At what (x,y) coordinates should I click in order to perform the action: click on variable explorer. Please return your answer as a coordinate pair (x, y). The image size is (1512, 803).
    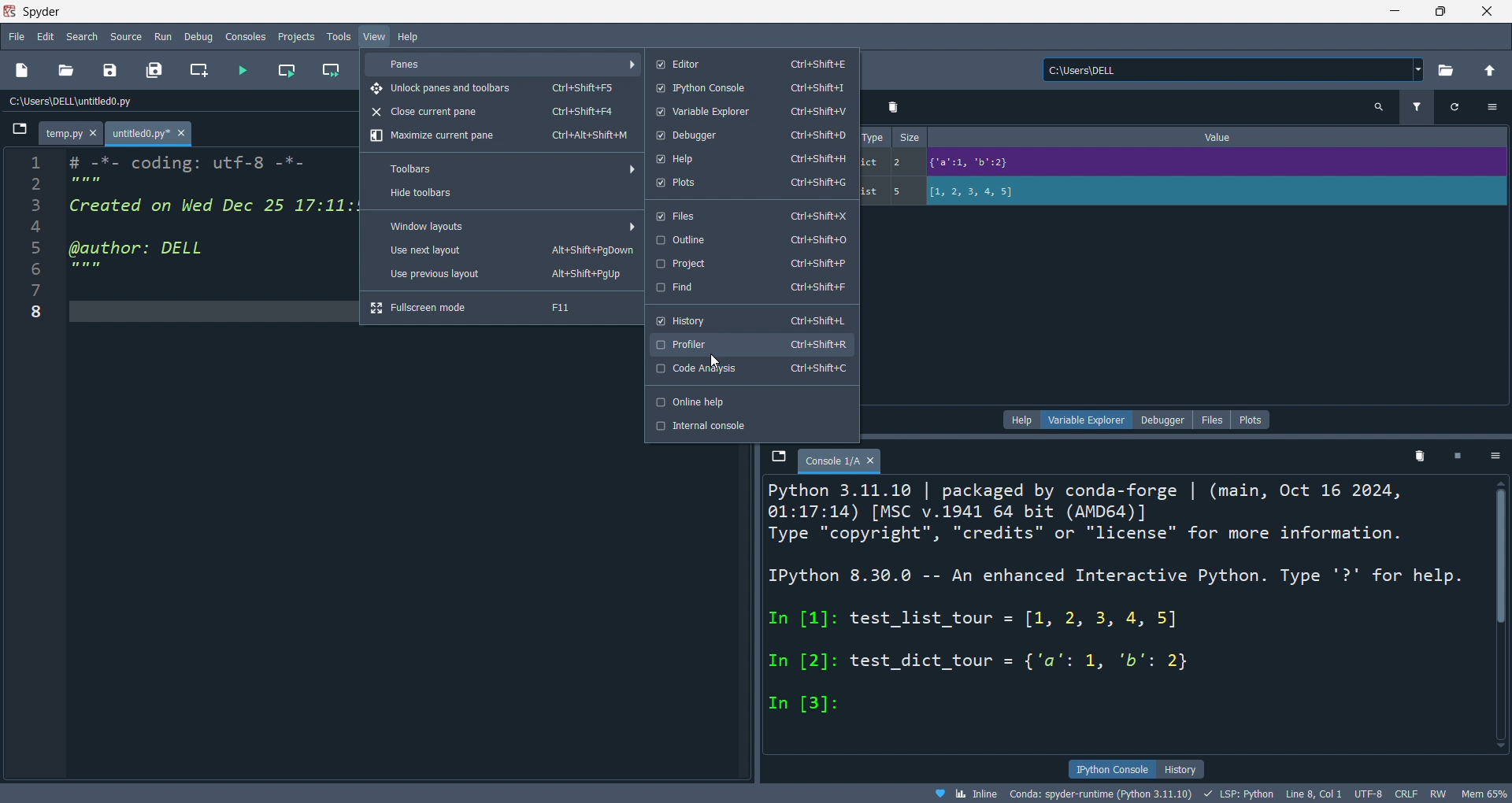
    Looking at the image, I should click on (751, 113).